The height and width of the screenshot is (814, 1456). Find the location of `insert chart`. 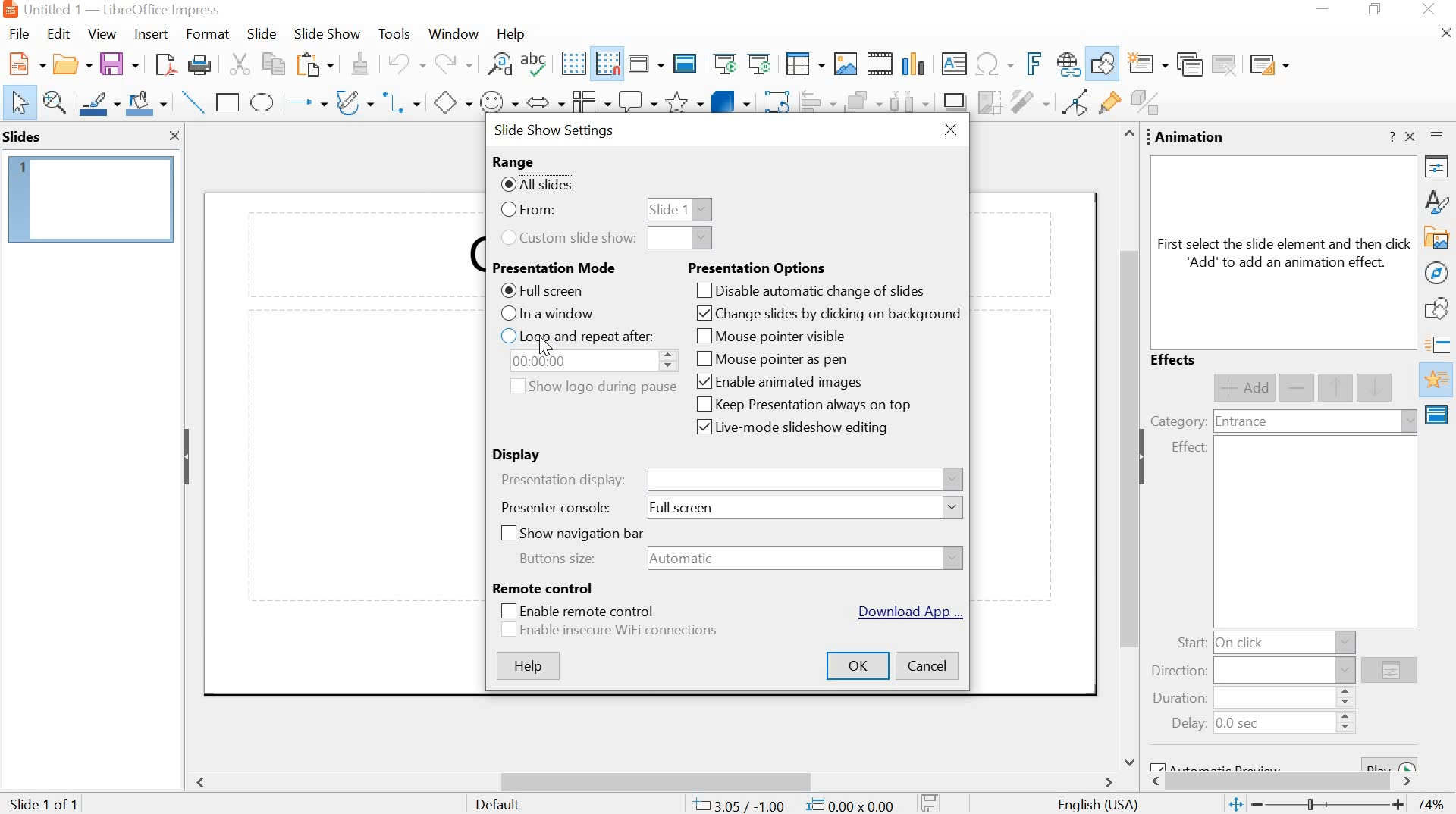

insert chart is located at coordinates (917, 63).